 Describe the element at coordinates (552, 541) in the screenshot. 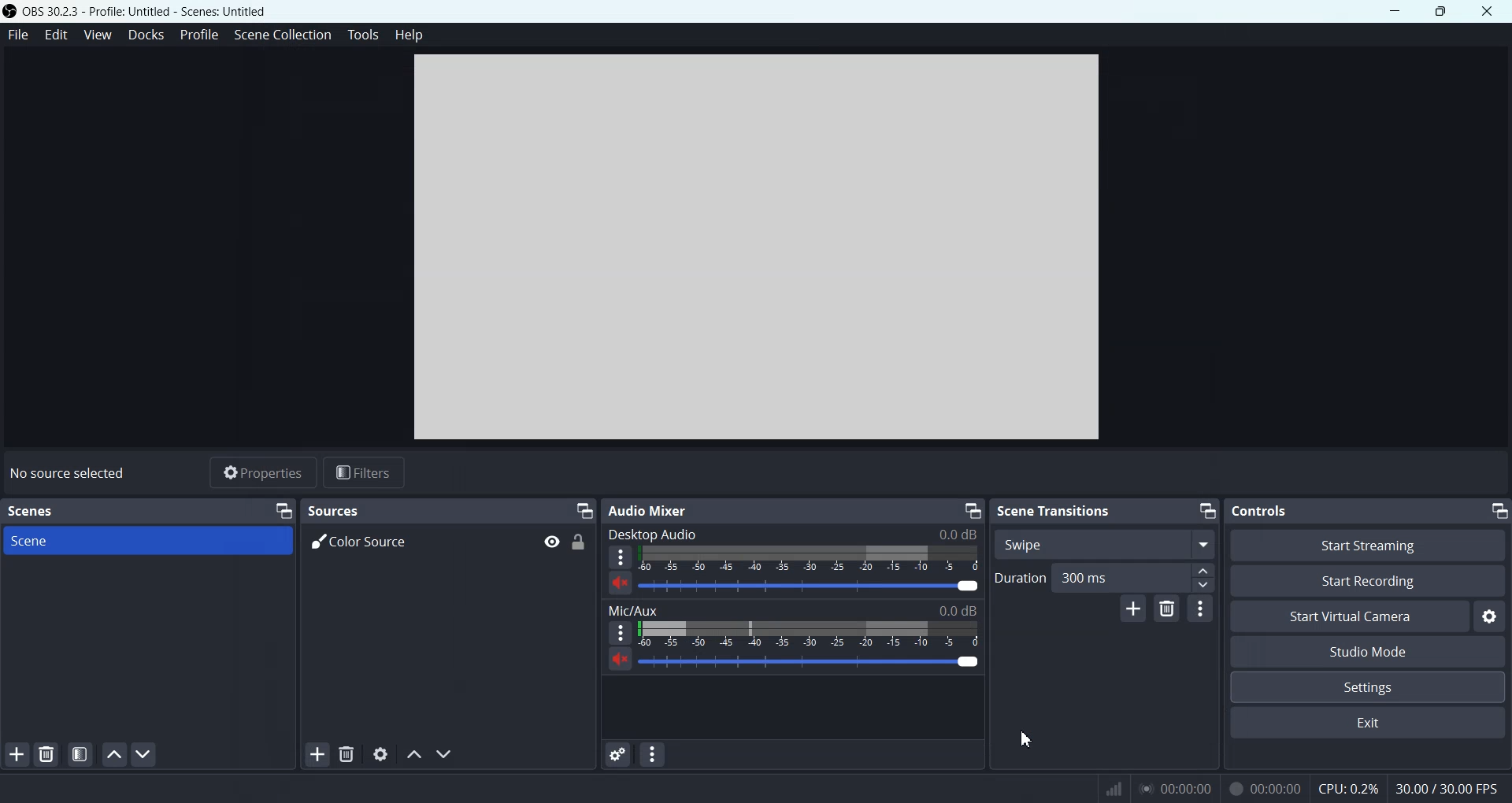

I see `Eye` at that location.